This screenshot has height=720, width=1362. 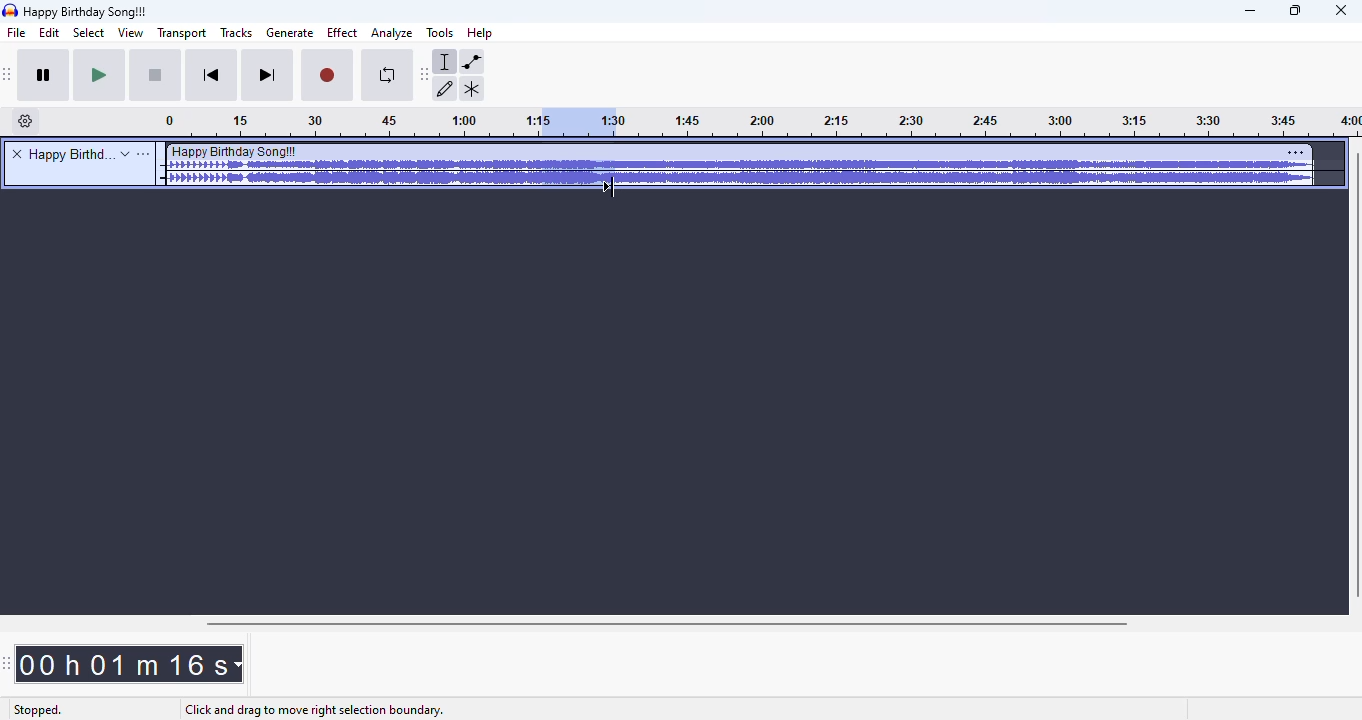 What do you see at coordinates (10, 10) in the screenshot?
I see `logo` at bounding box center [10, 10].